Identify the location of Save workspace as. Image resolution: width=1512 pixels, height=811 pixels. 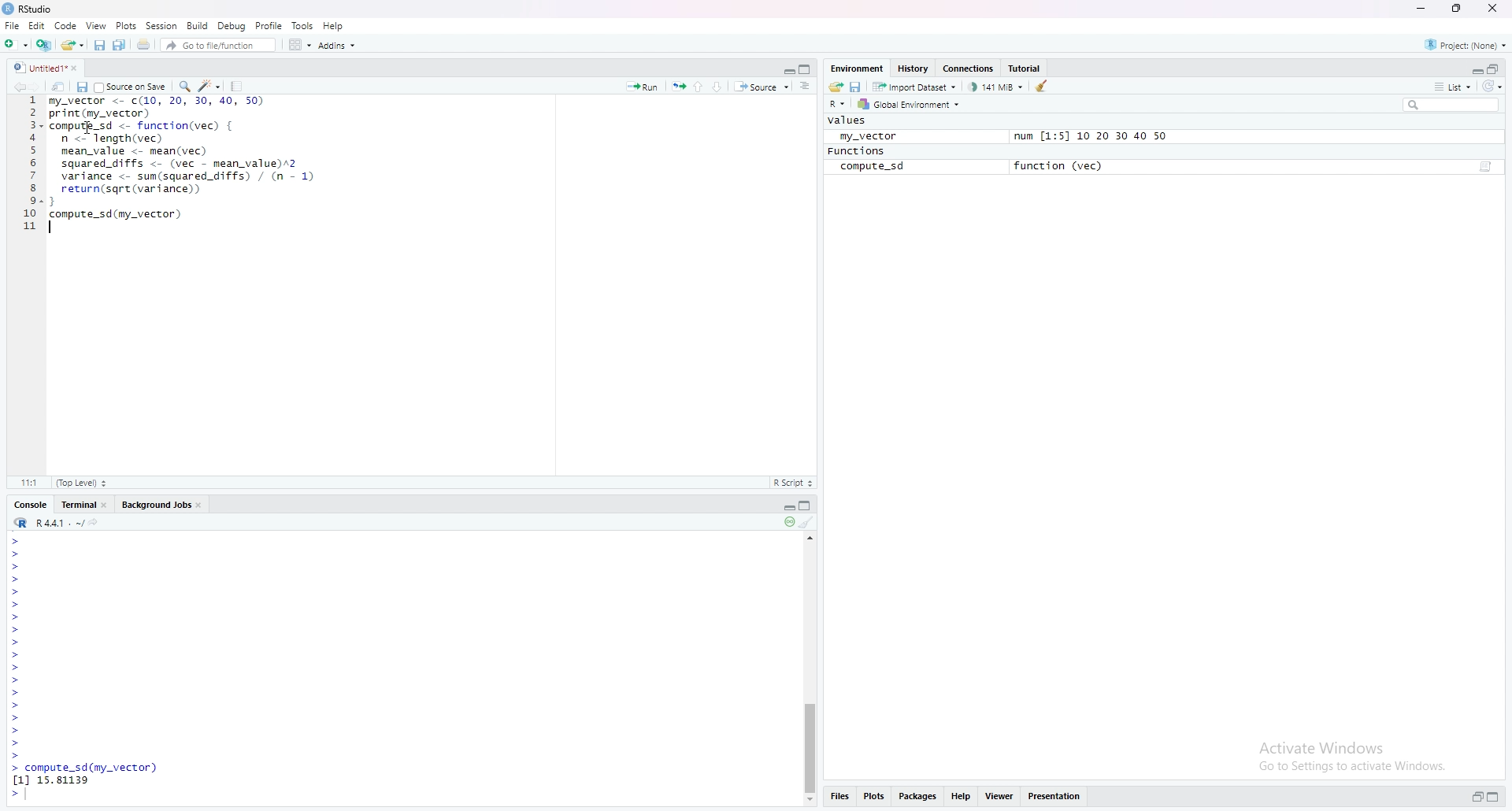
(858, 86).